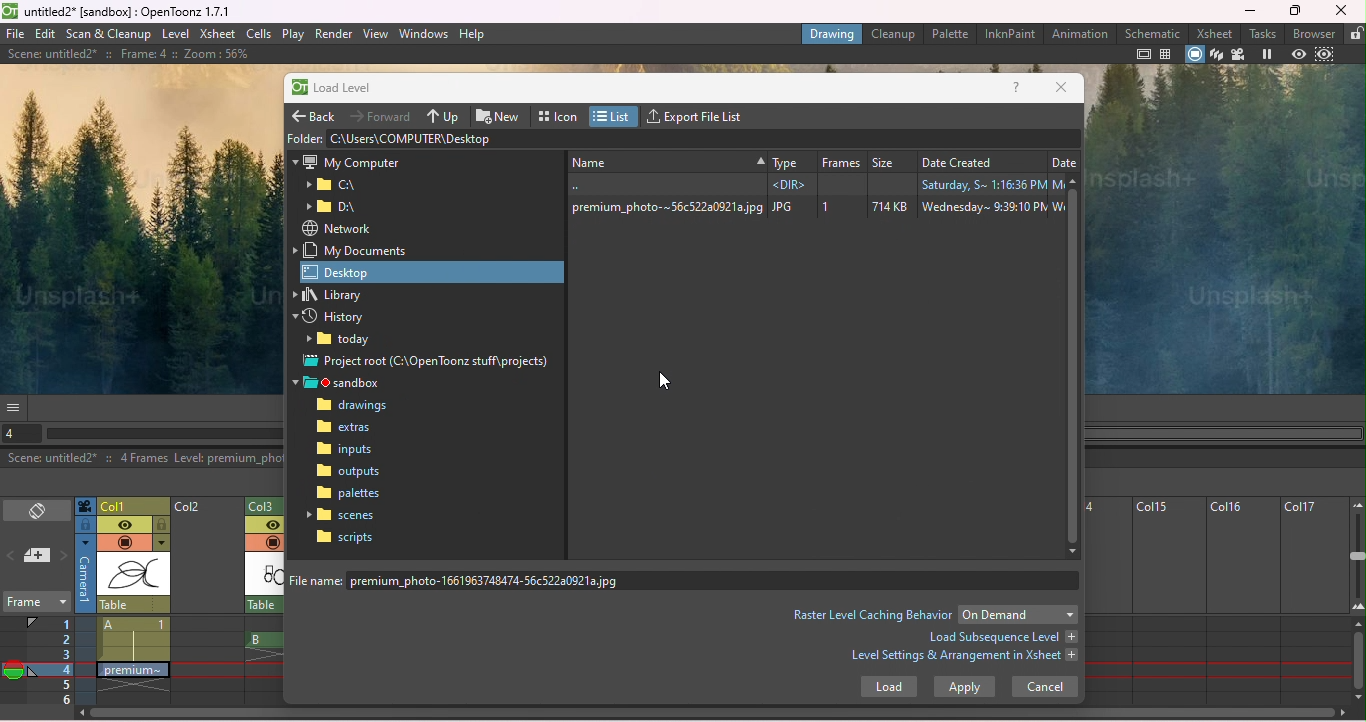 This screenshot has height=722, width=1366. I want to click on Close, so click(1341, 10).